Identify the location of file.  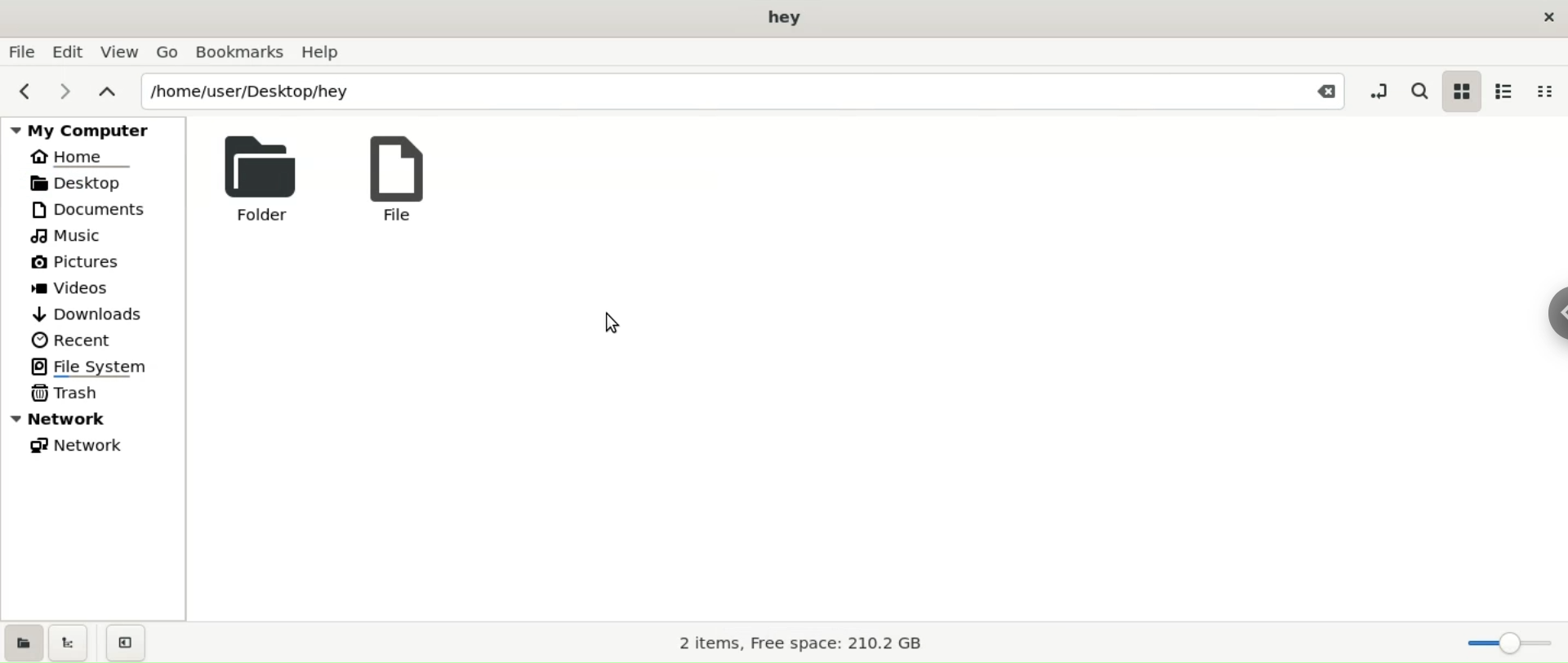
(24, 53).